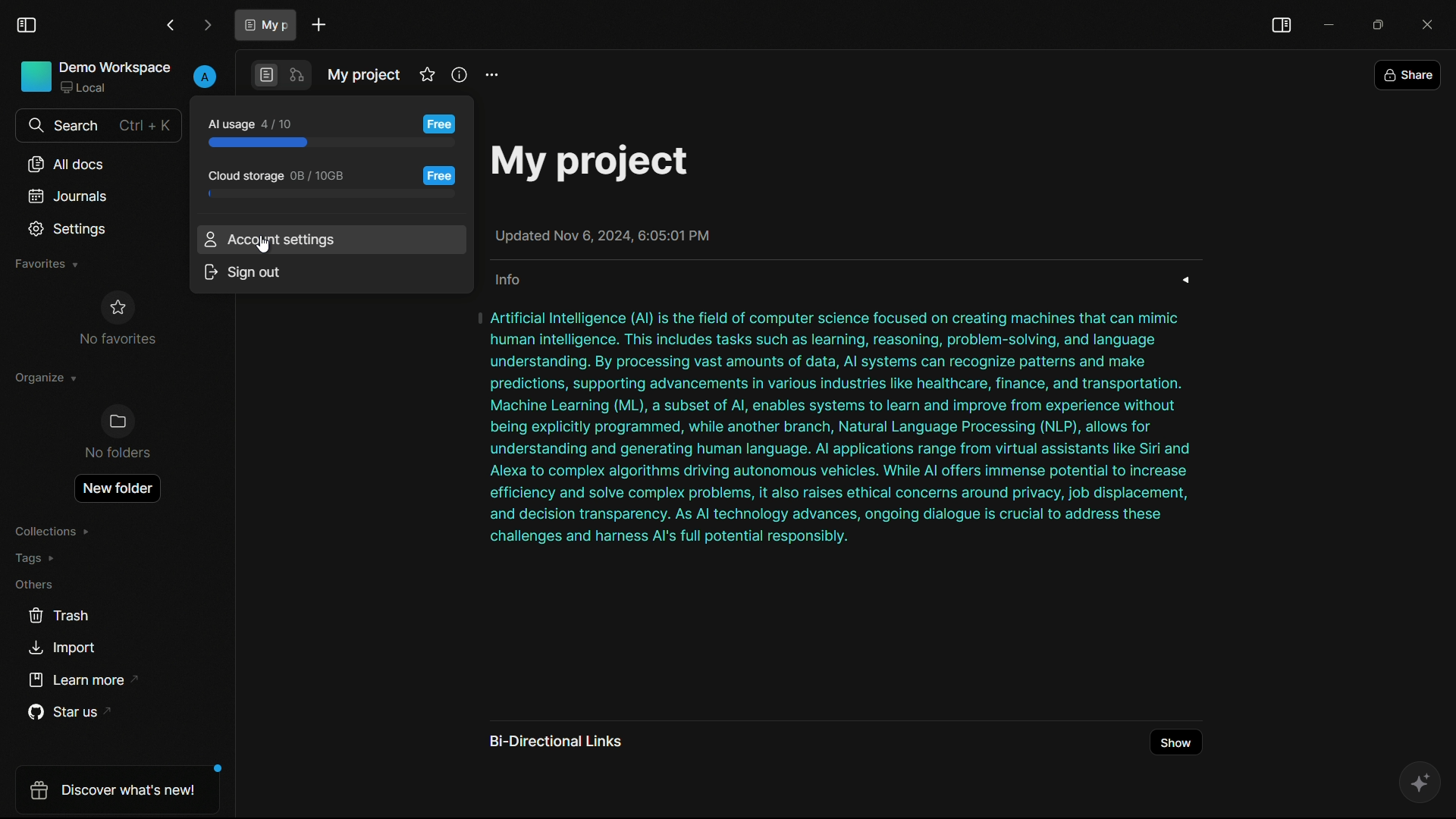 The width and height of the screenshot is (1456, 819). What do you see at coordinates (96, 126) in the screenshot?
I see `search bar` at bounding box center [96, 126].